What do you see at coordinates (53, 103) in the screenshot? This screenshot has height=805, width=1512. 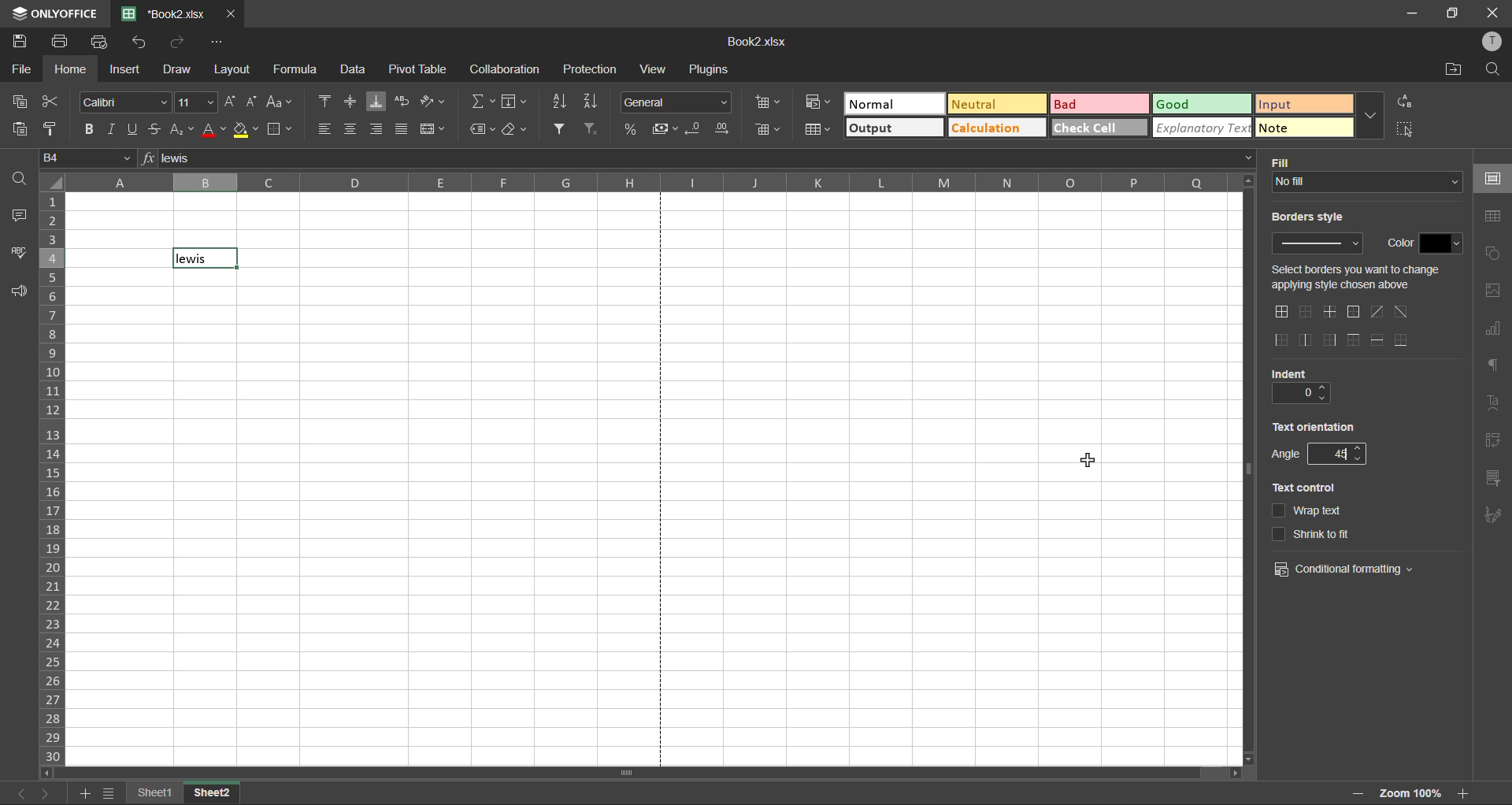 I see `cut` at bounding box center [53, 103].